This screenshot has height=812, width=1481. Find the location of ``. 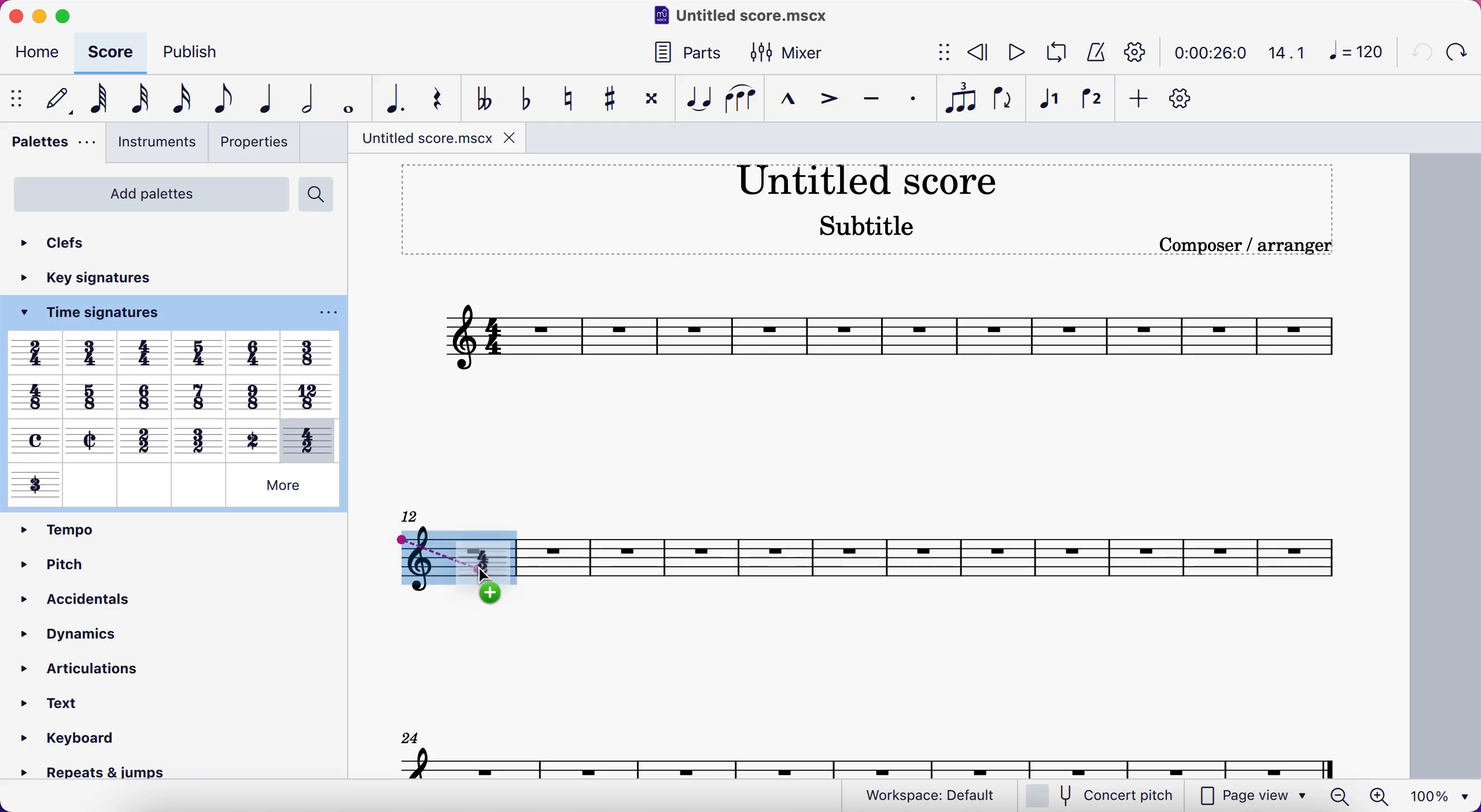

 is located at coordinates (144, 439).